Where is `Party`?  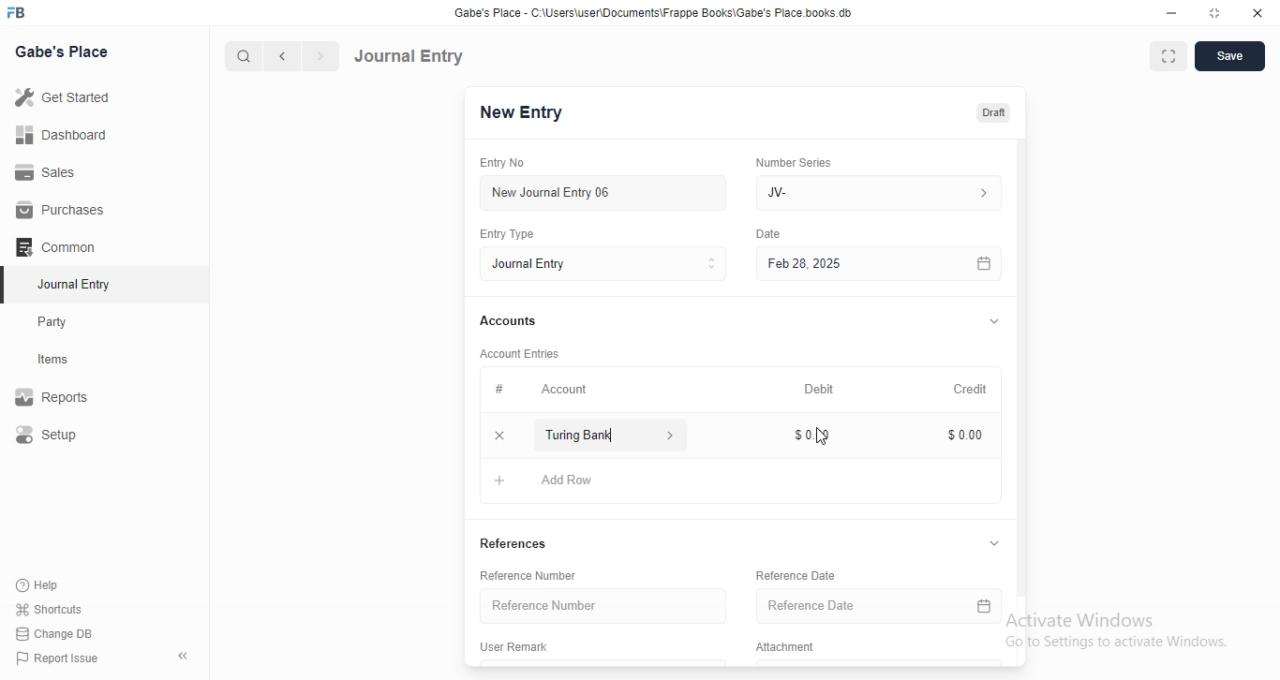 Party is located at coordinates (66, 322).